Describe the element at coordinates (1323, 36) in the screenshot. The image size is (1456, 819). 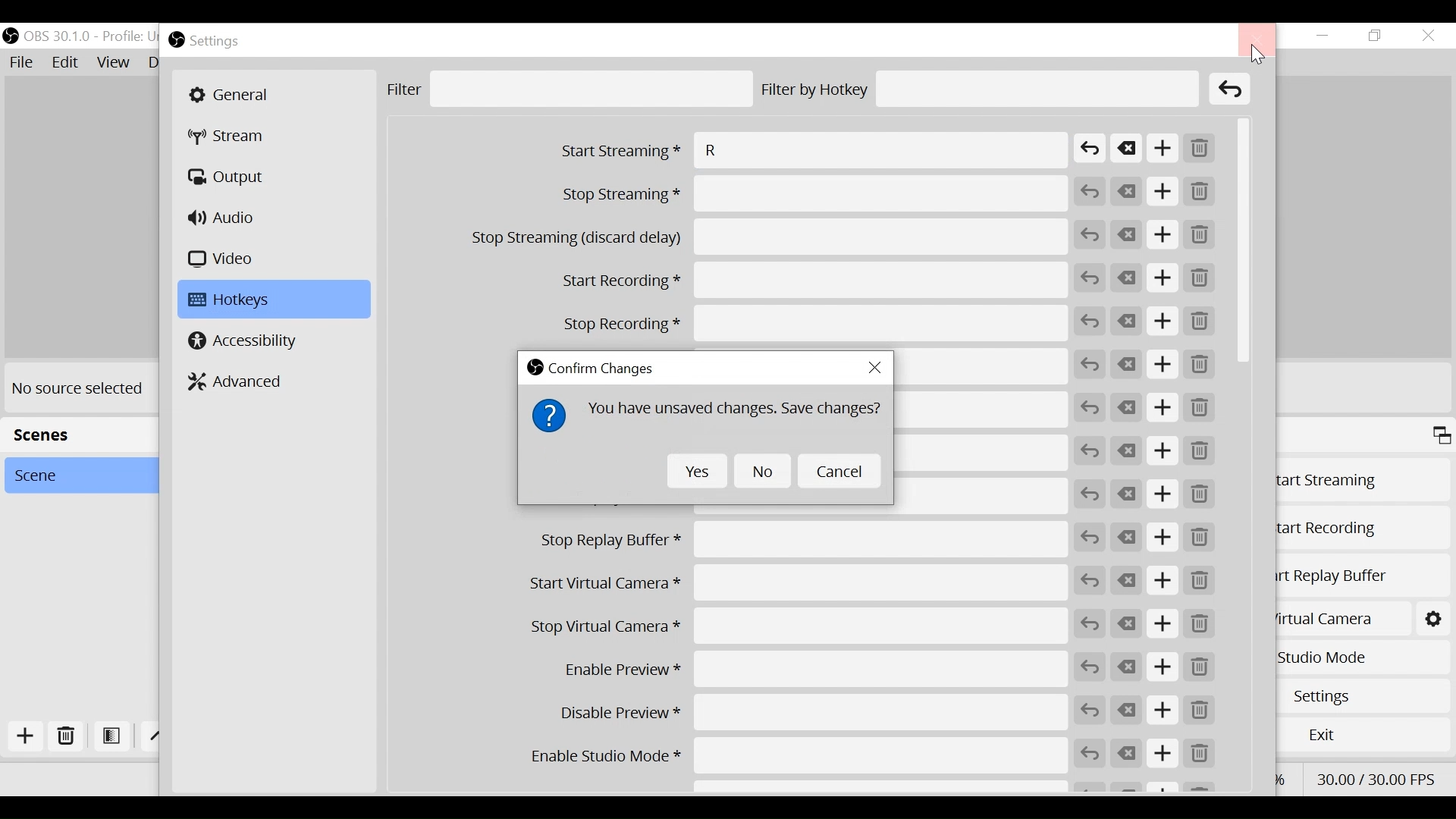
I see `Minimize` at that location.